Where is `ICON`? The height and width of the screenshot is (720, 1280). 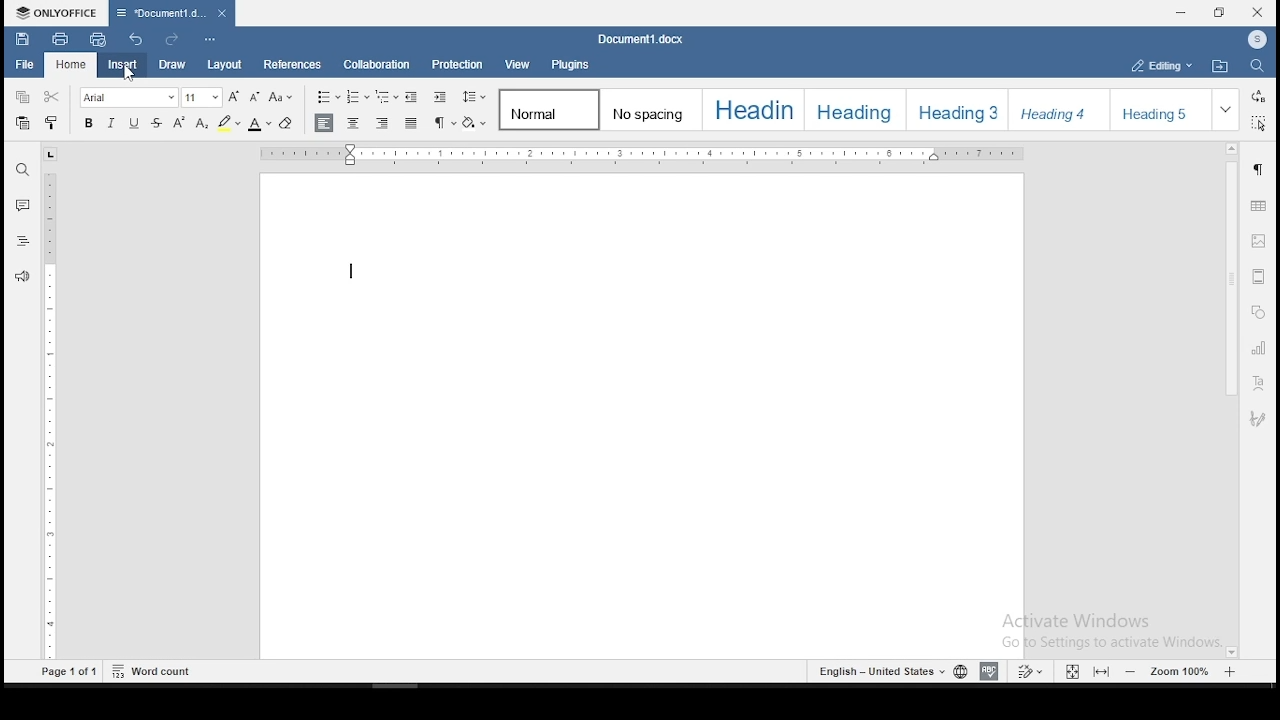
ICON is located at coordinates (1256, 41).